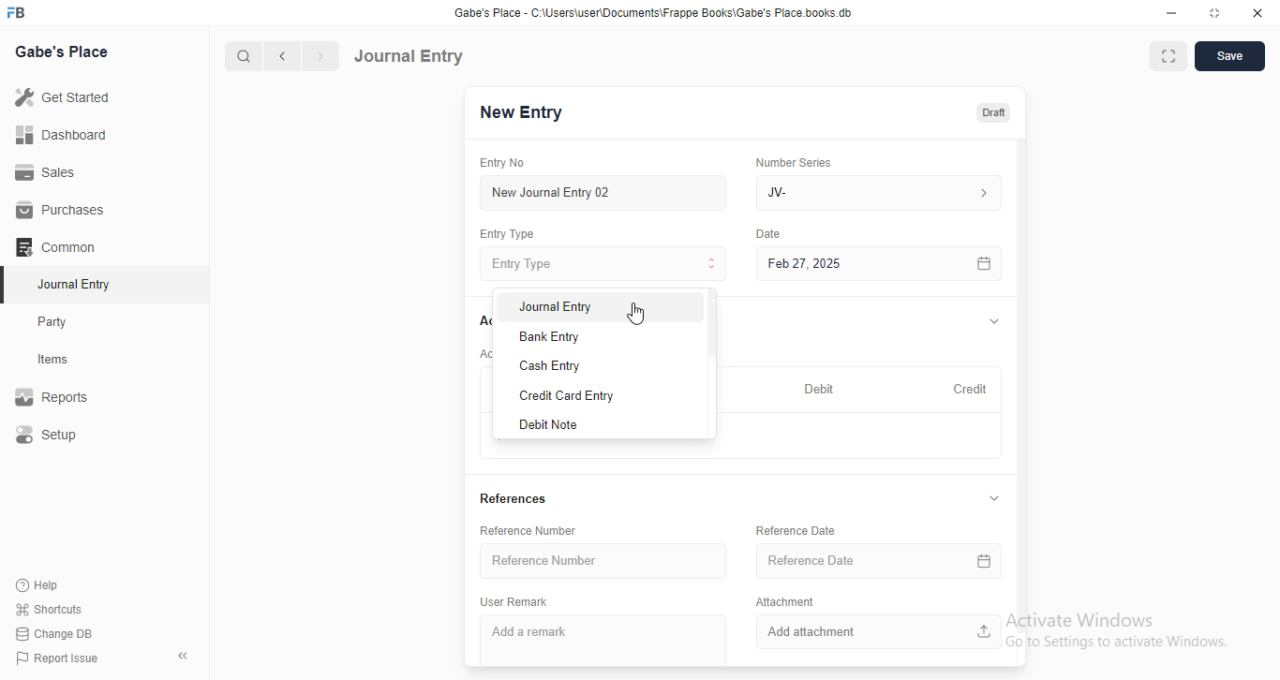  I want to click on Journal Entry, so click(70, 284).